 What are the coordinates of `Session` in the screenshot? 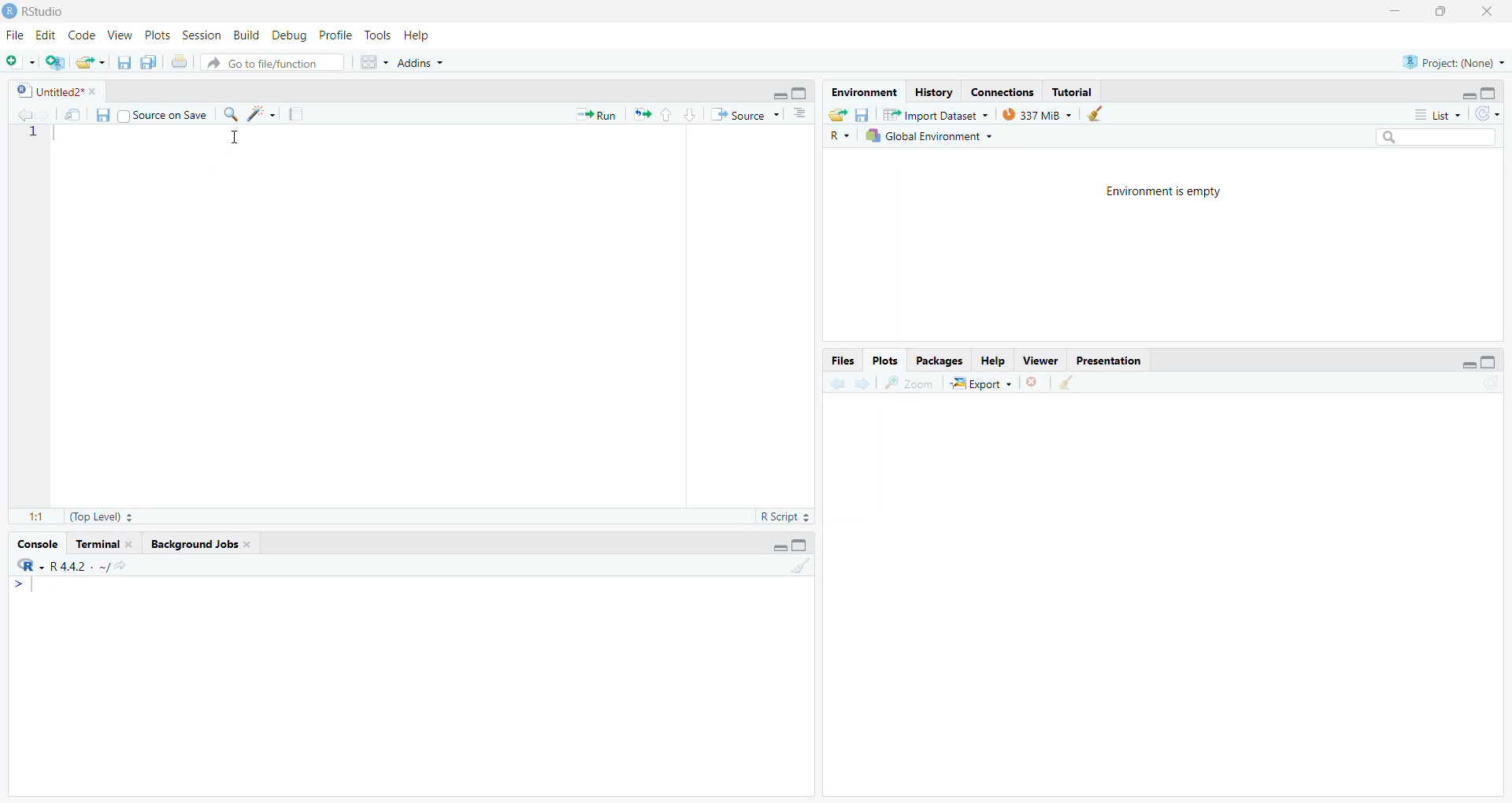 It's located at (202, 37).